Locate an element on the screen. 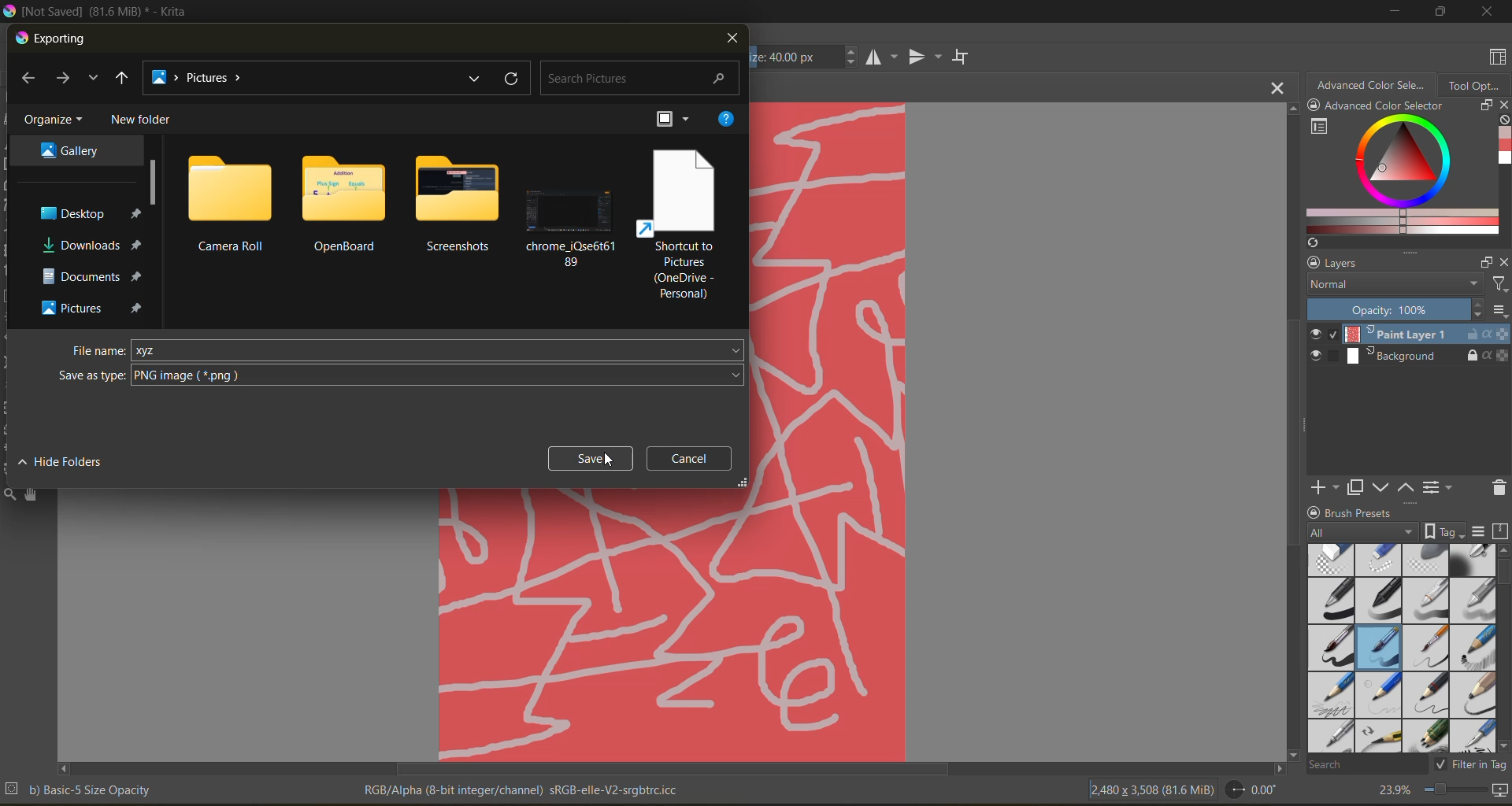 The image size is (1512, 806). change view is located at coordinates (678, 120).